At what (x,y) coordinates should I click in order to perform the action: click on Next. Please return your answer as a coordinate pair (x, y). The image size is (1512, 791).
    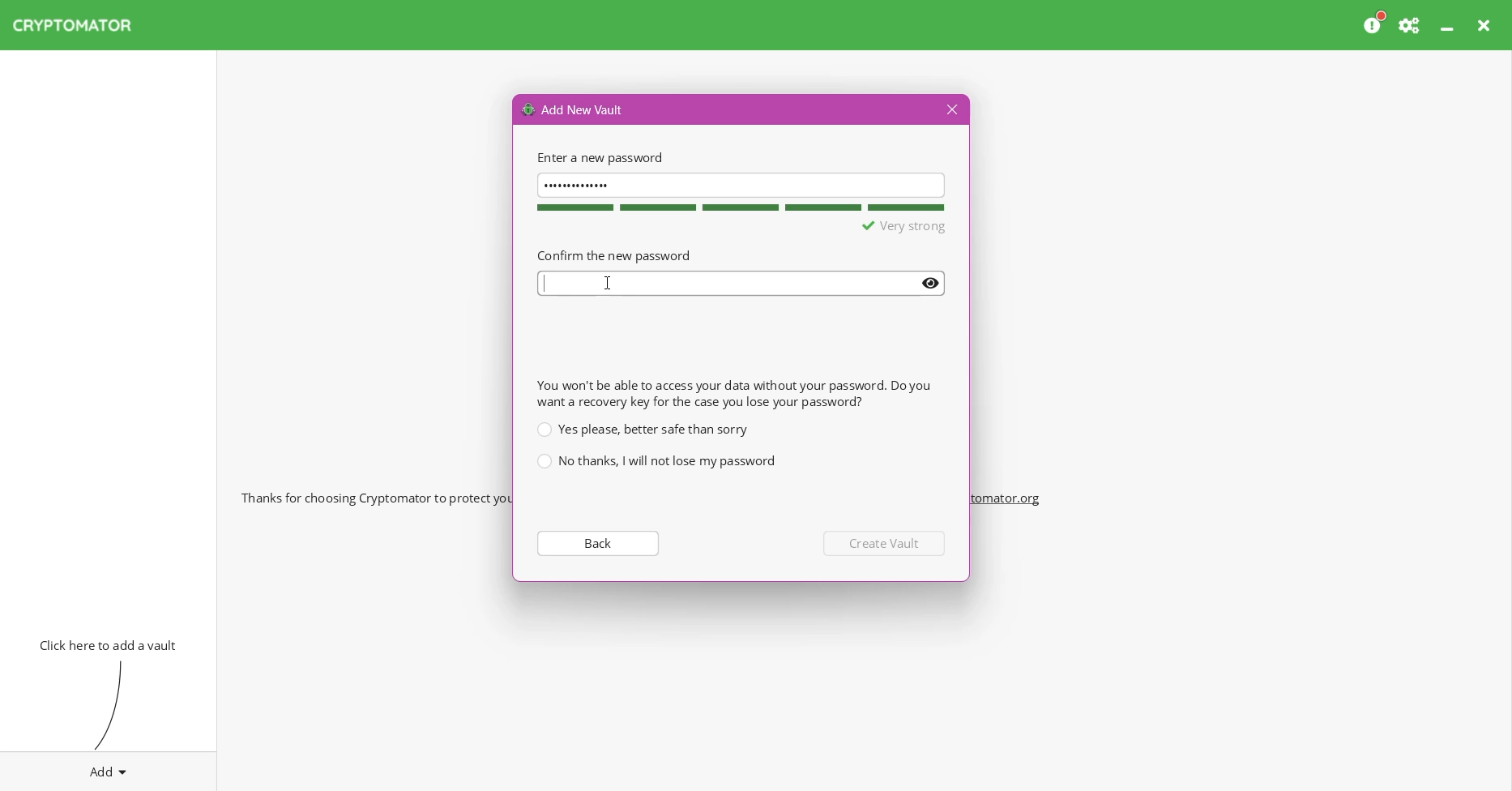
    Looking at the image, I should click on (886, 543).